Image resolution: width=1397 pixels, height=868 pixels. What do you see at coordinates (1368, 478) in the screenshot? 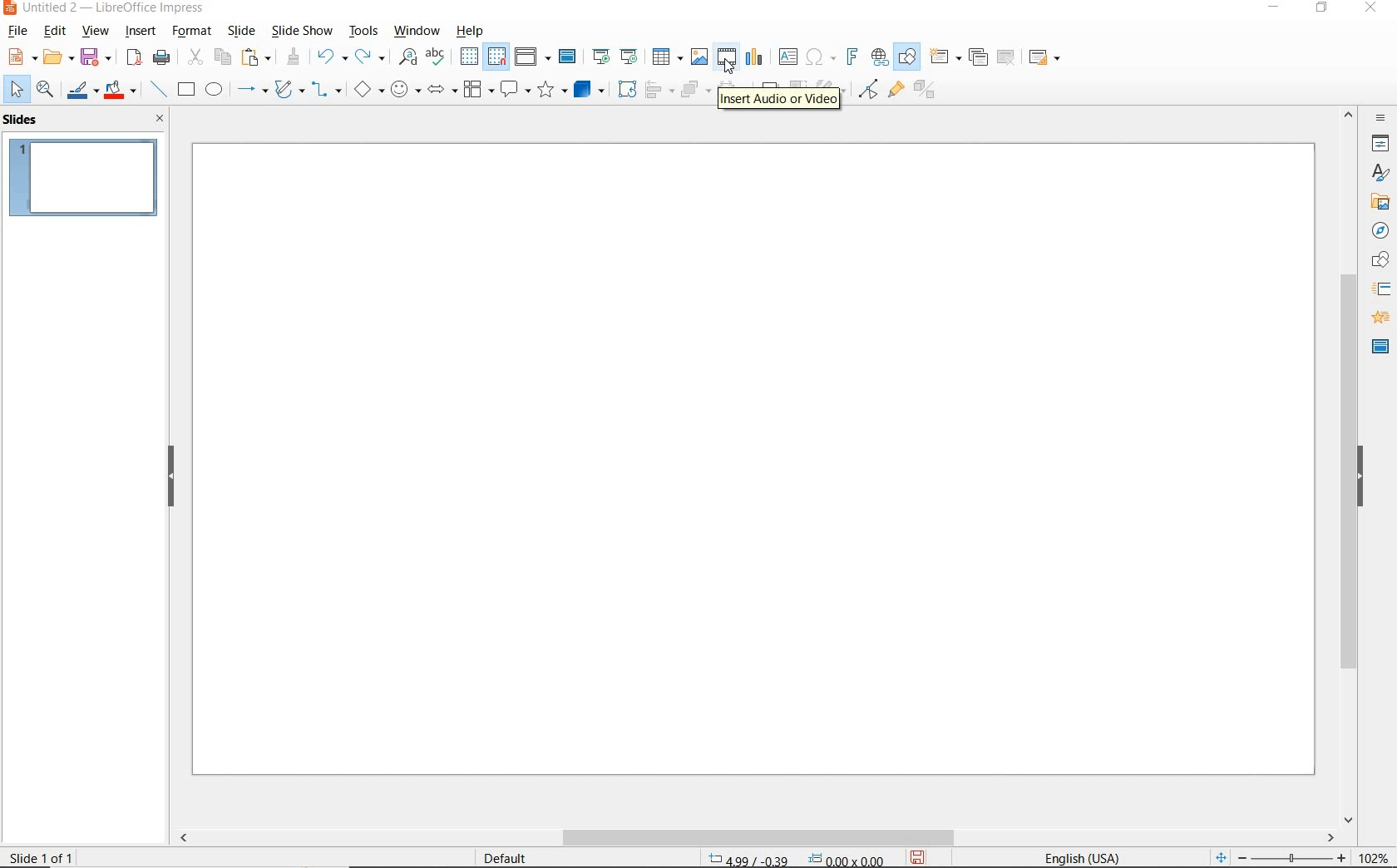
I see `HIDE` at bounding box center [1368, 478].